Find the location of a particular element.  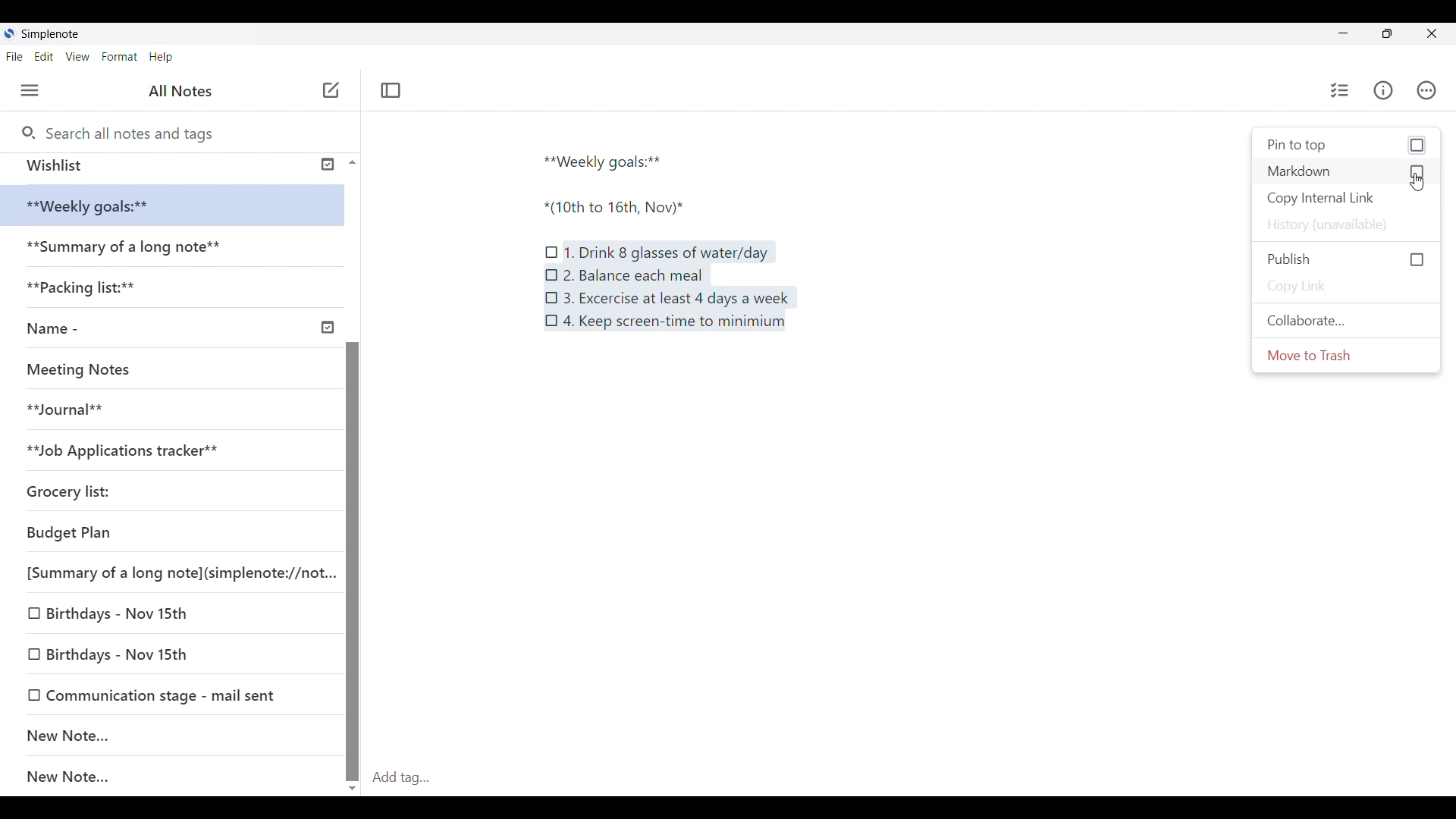

**Packaging list:** is located at coordinates (94, 292).